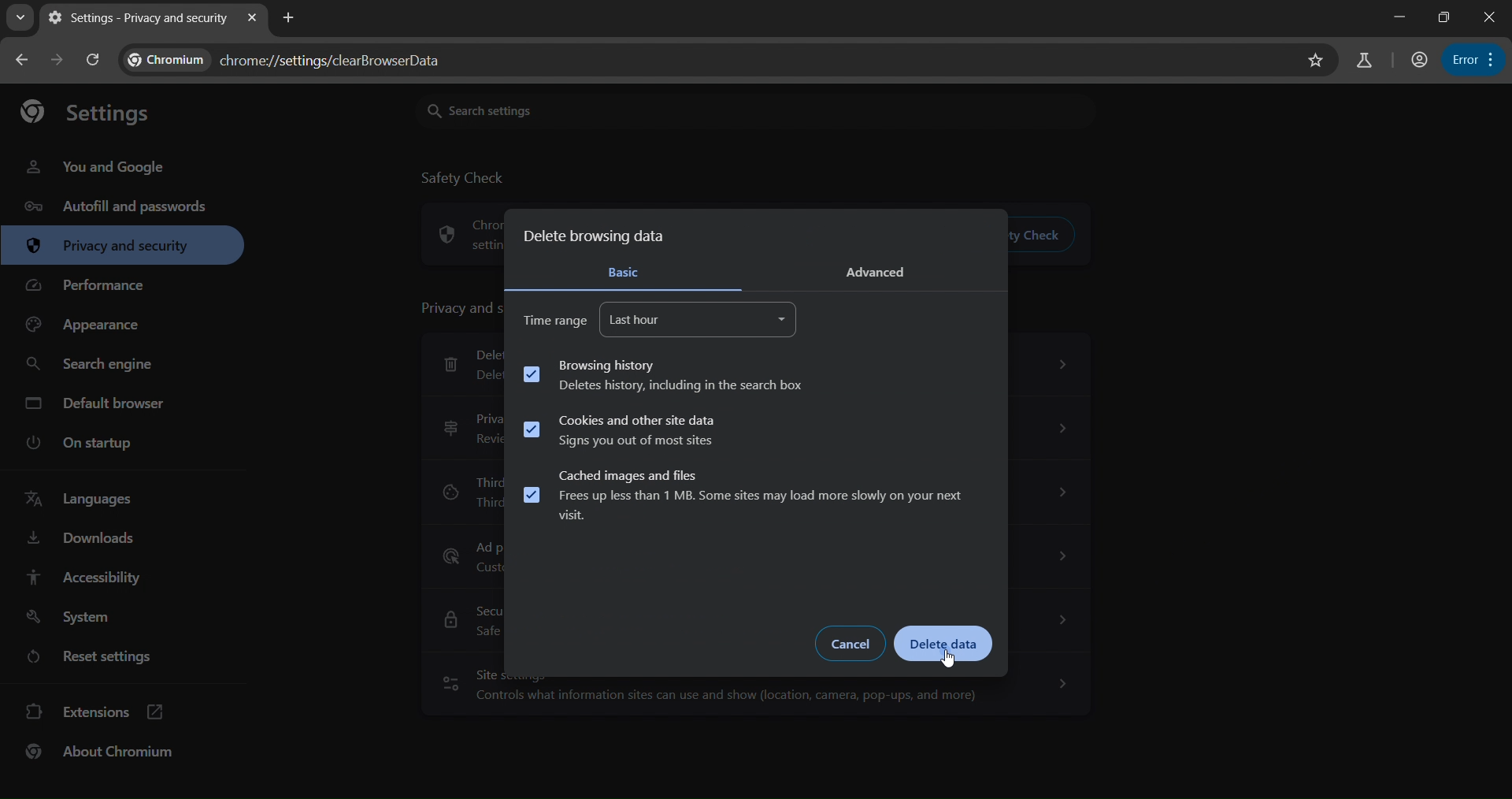 Image resolution: width=1512 pixels, height=799 pixels. What do you see at coordinates (1492, 17) in the screenshot?
I see `close` at bounding box center [1492, 17].